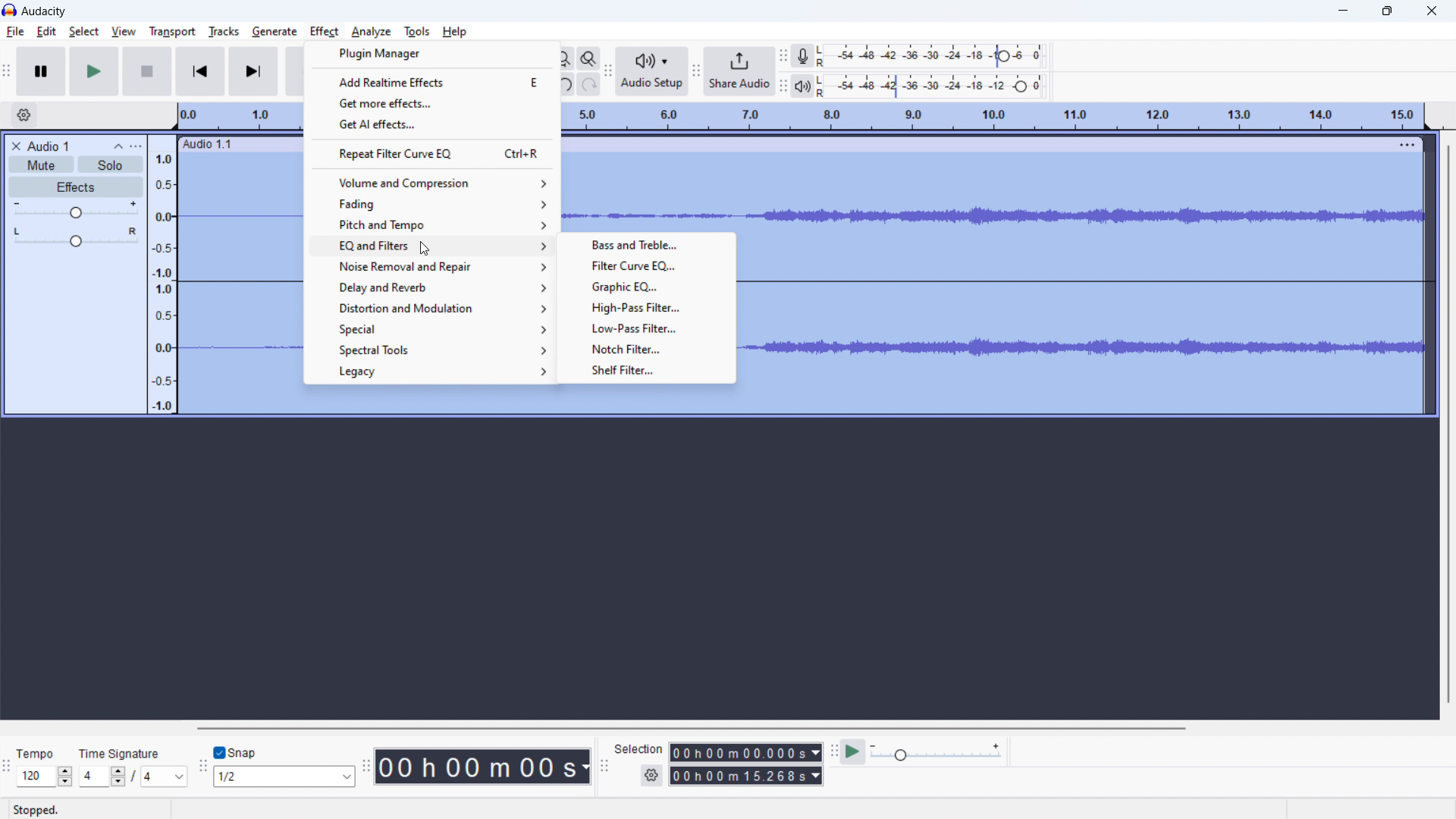 The height and width of the screenshot is (819, 1456). Describe the element at coordinates (567, 83) in the screenshot. I see `undo` at that location.